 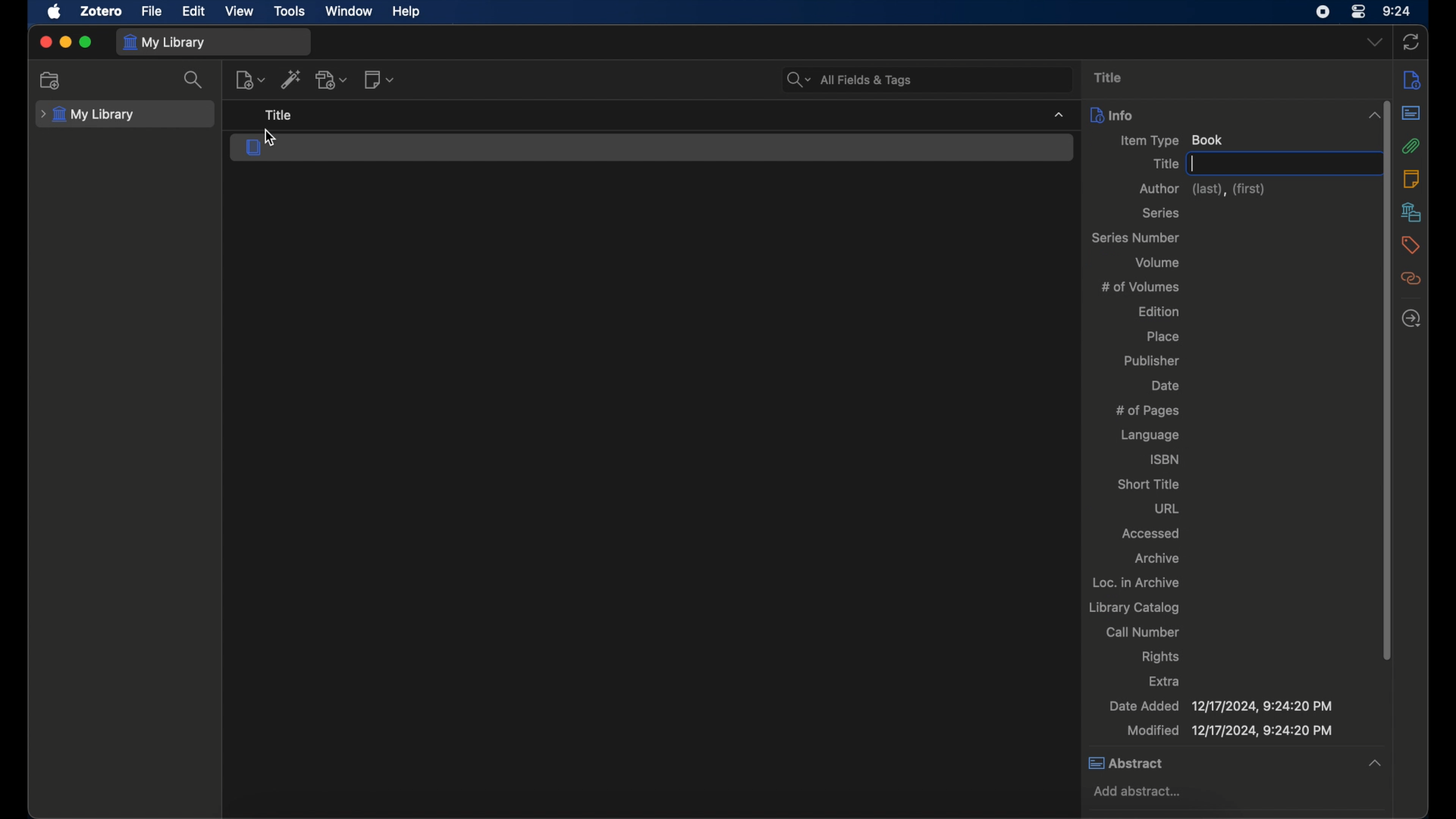 I want to click on cursor, so click(x=272, y=139).